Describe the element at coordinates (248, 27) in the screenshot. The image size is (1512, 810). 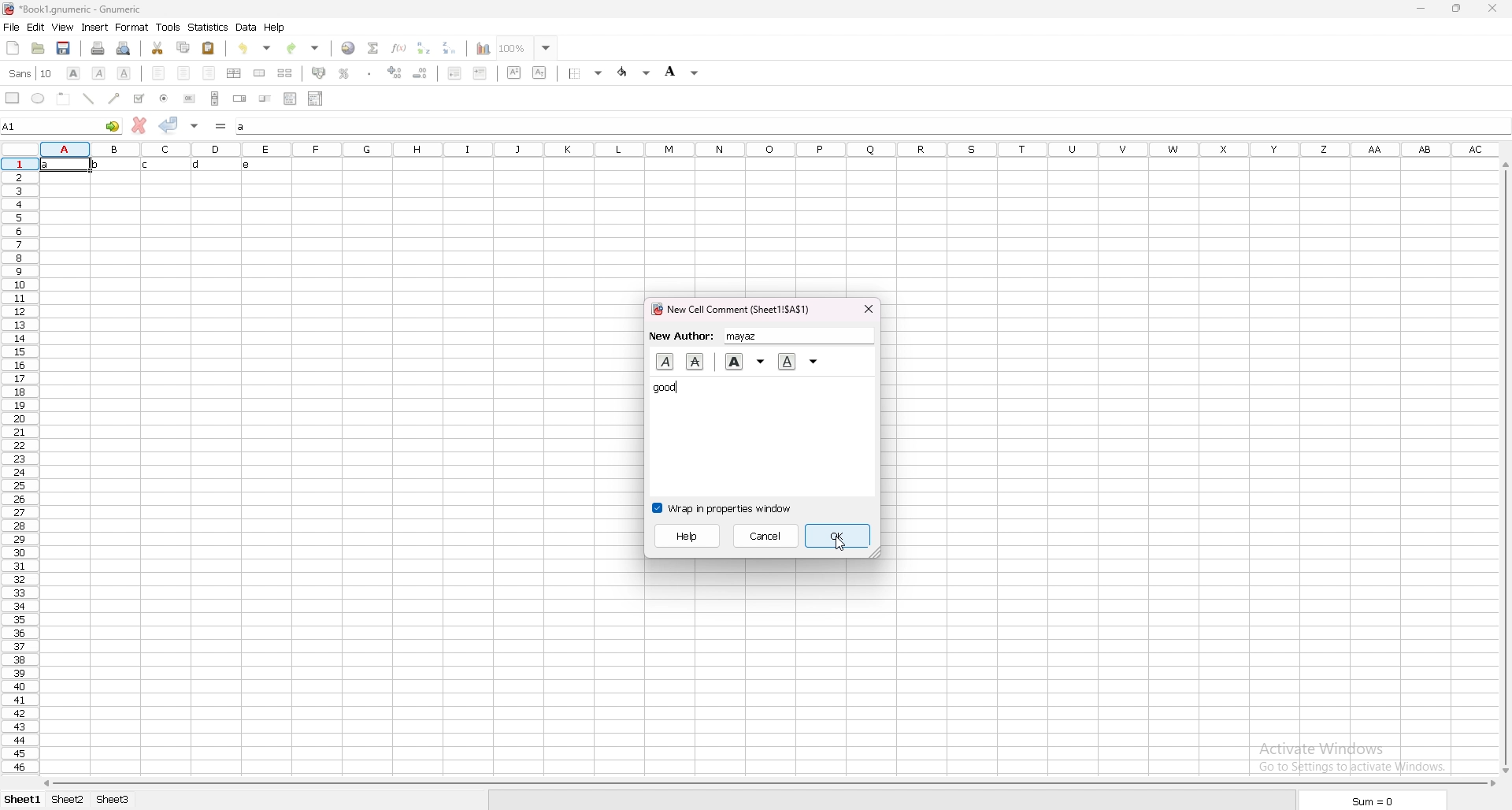
I see `data` at that location.